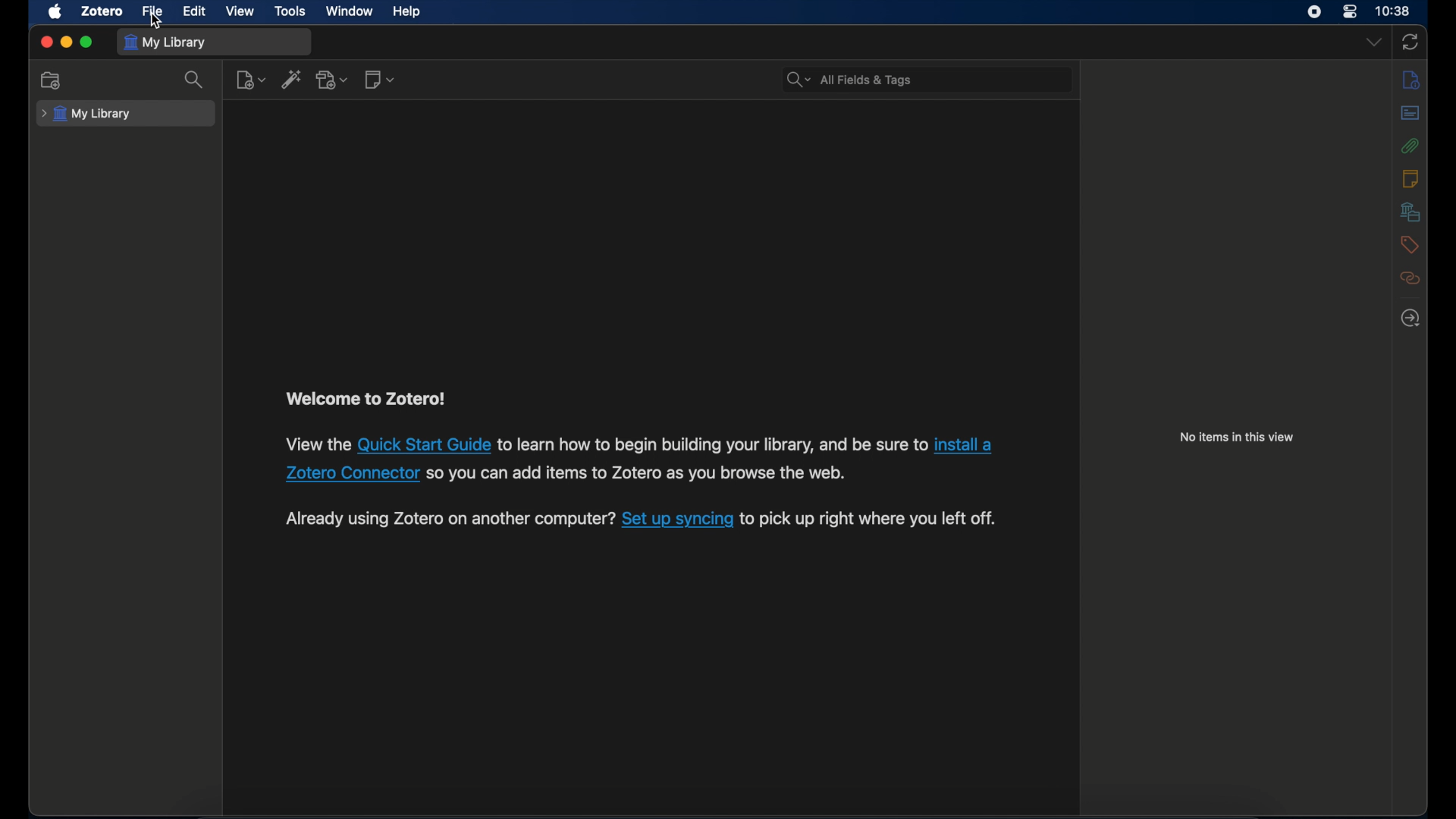  I want to click on cursor, so click(155, 20).